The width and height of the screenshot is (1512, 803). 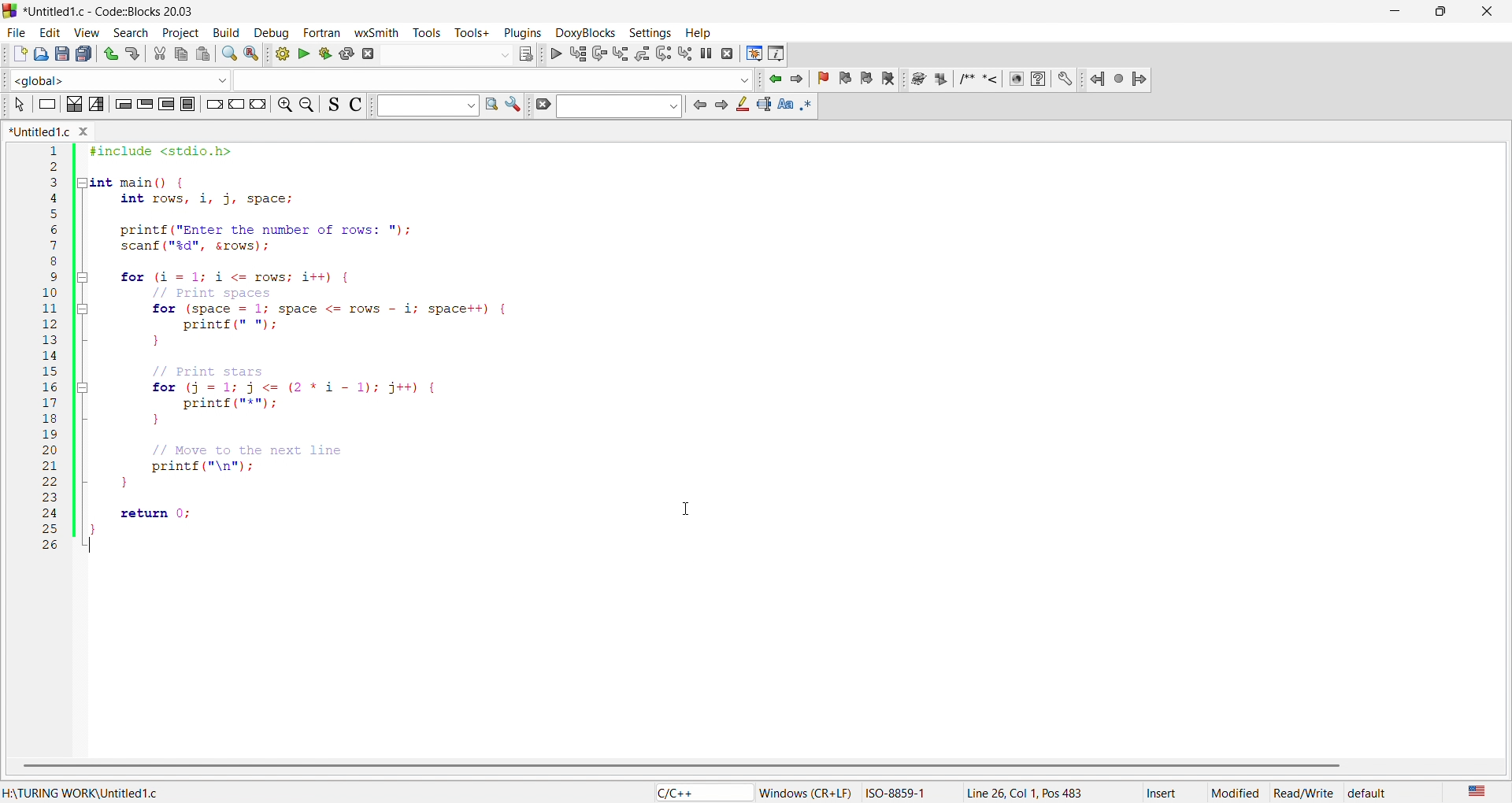 What do you see at coordinates (236, 105) in the screenshot?
I see `icon` at bounding box center [236, 105].